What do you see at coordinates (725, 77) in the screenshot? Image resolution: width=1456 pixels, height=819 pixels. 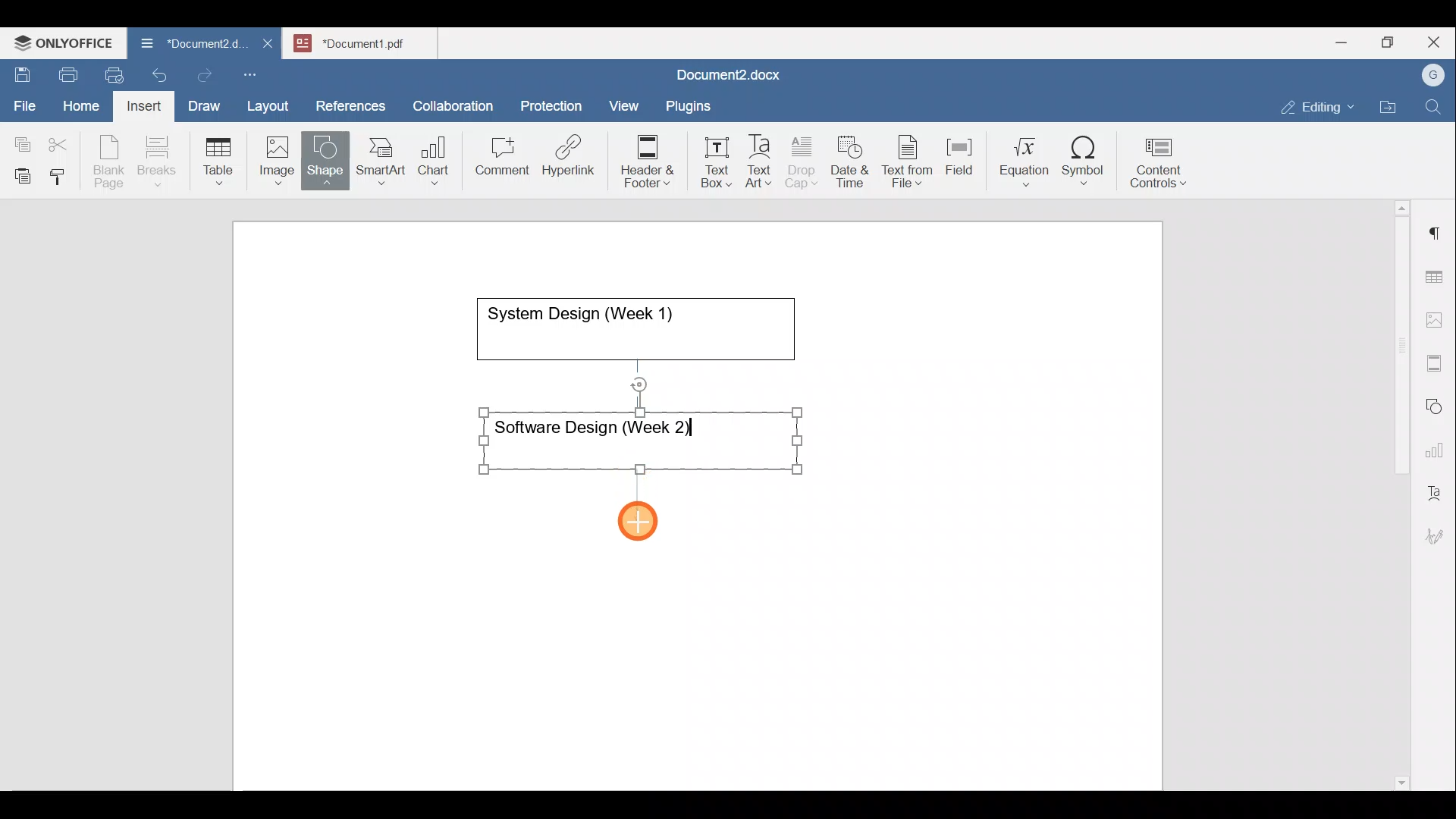 I see `Document name` at bounding box center [725, 77].